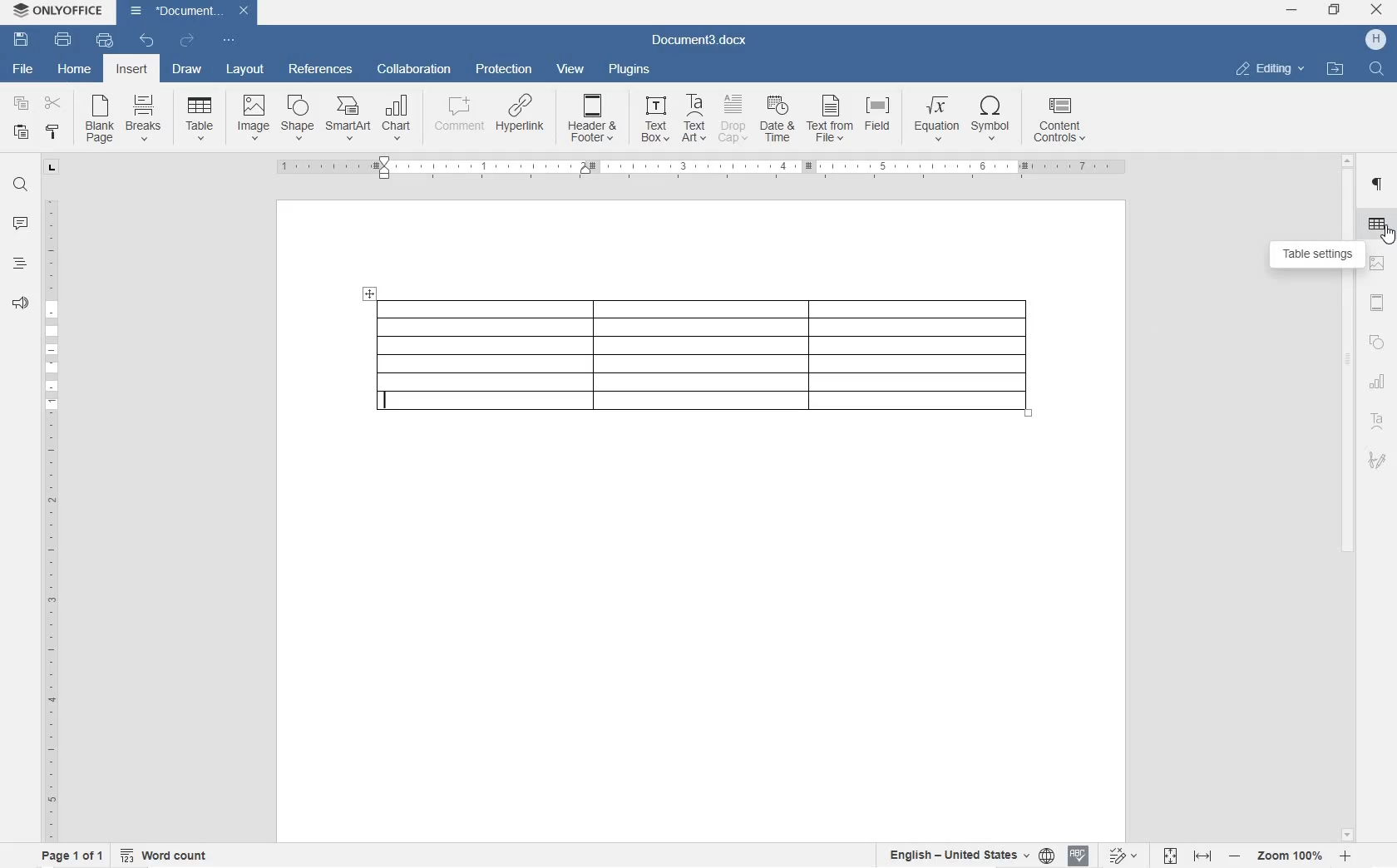  Describe the element at coordinates (571, 70) in the screenshot. I see `VIEW` at that location.